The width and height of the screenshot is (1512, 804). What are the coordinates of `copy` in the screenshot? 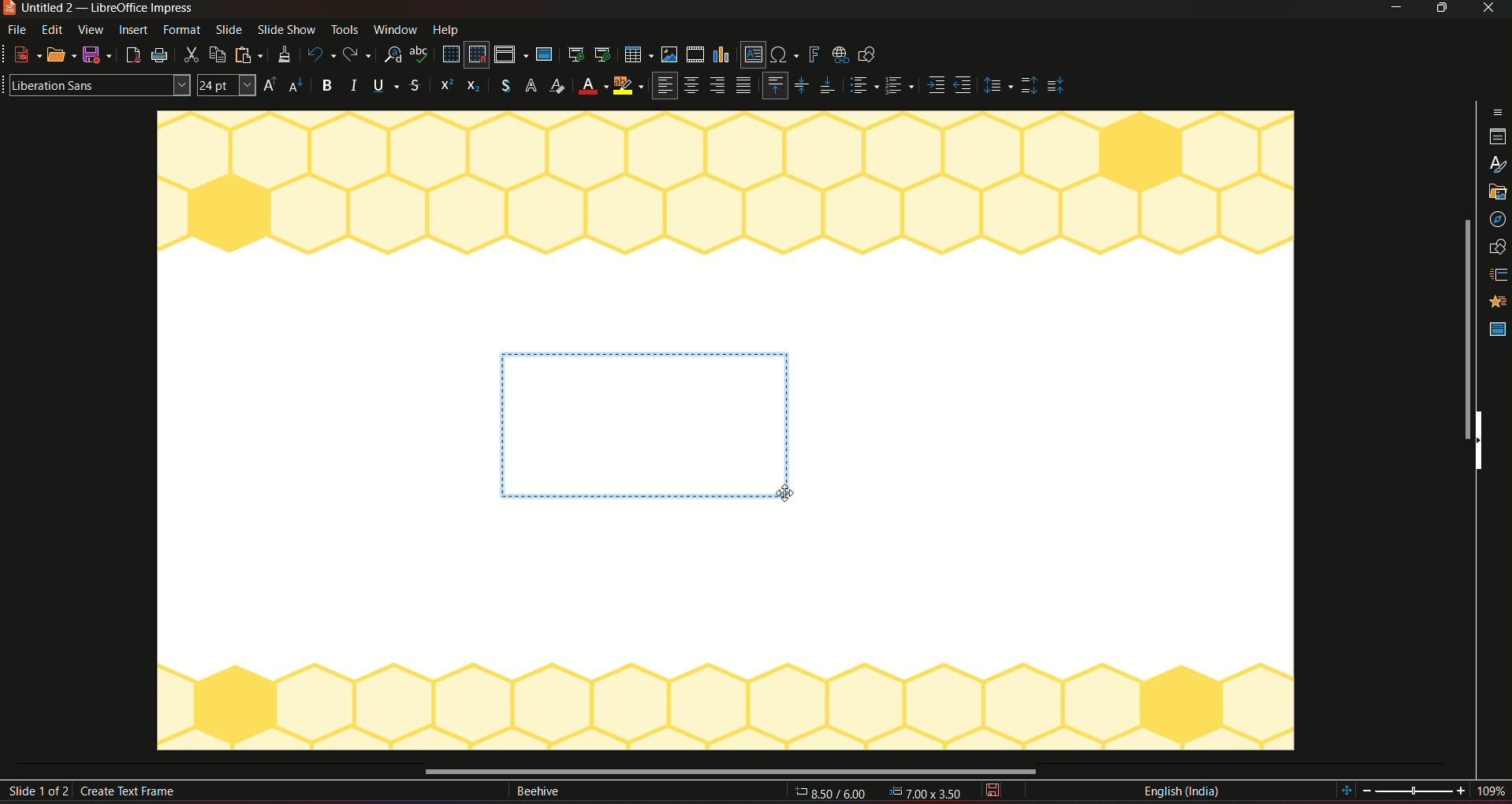 It's located at (218, 54).